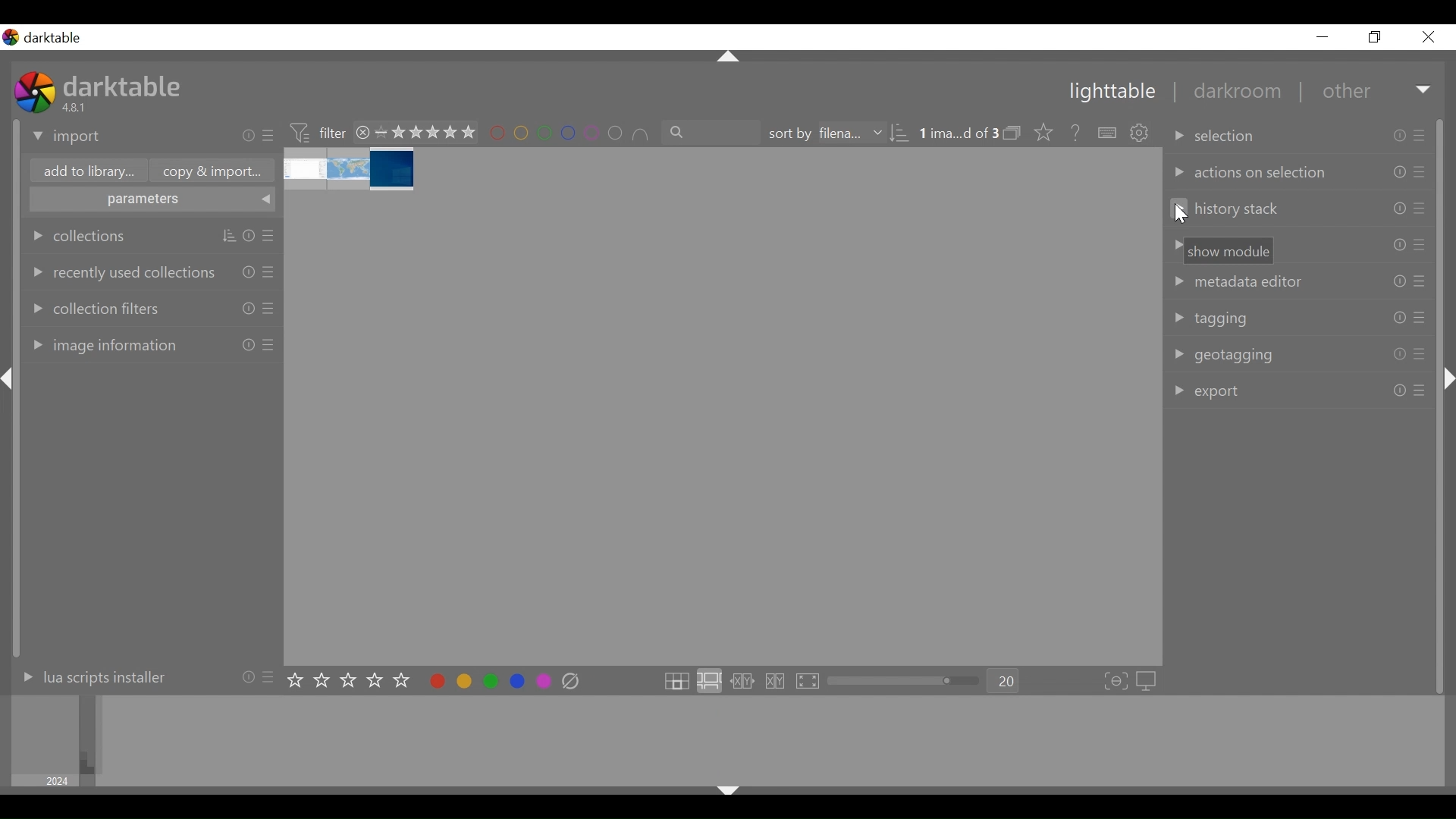  I want to click on info, so click(1401, 136).